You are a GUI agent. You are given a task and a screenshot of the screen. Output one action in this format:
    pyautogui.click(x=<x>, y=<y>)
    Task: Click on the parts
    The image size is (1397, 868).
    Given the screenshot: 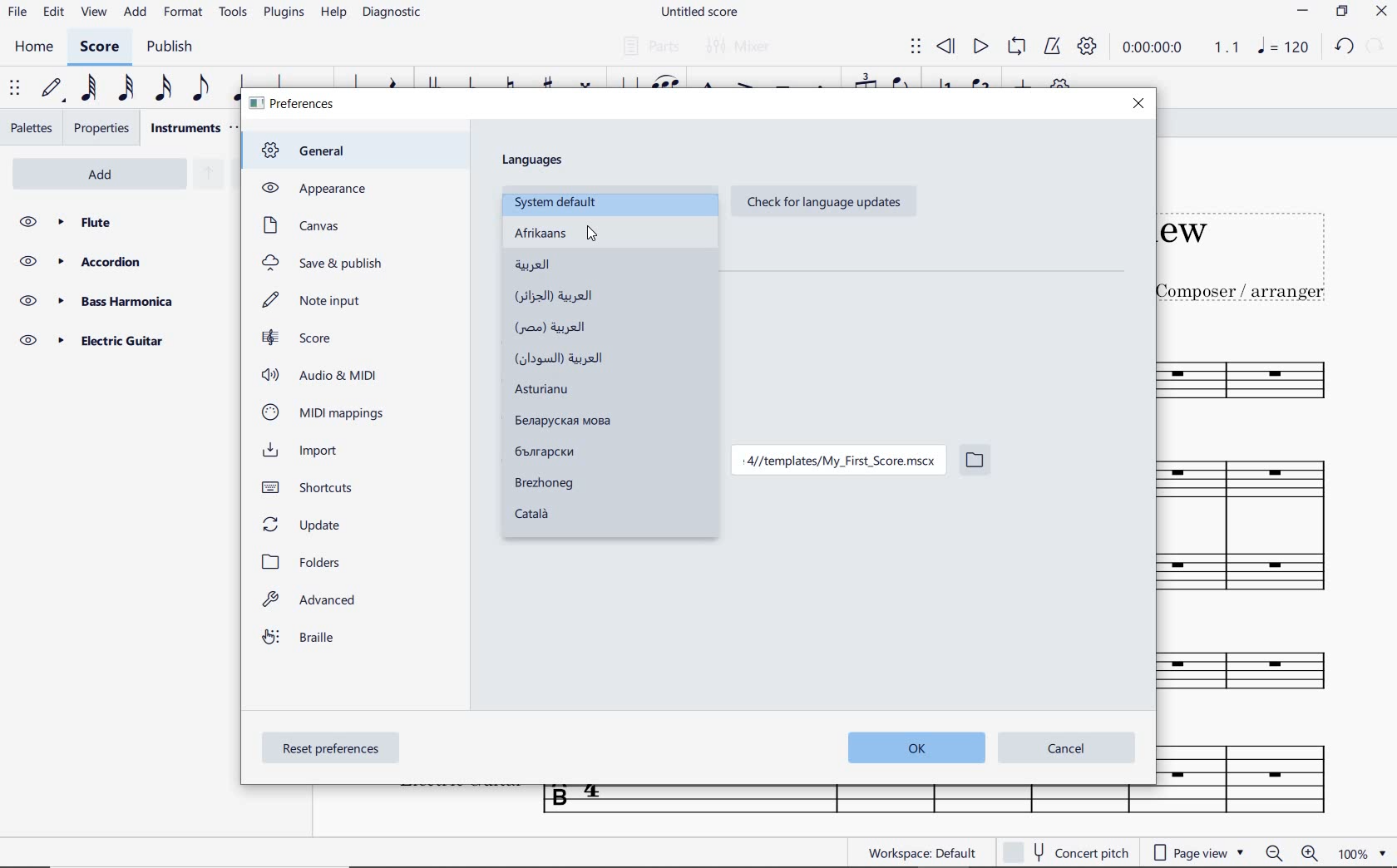 What is the action you would take?
    pyautogui.click(x=649, y=47)
    